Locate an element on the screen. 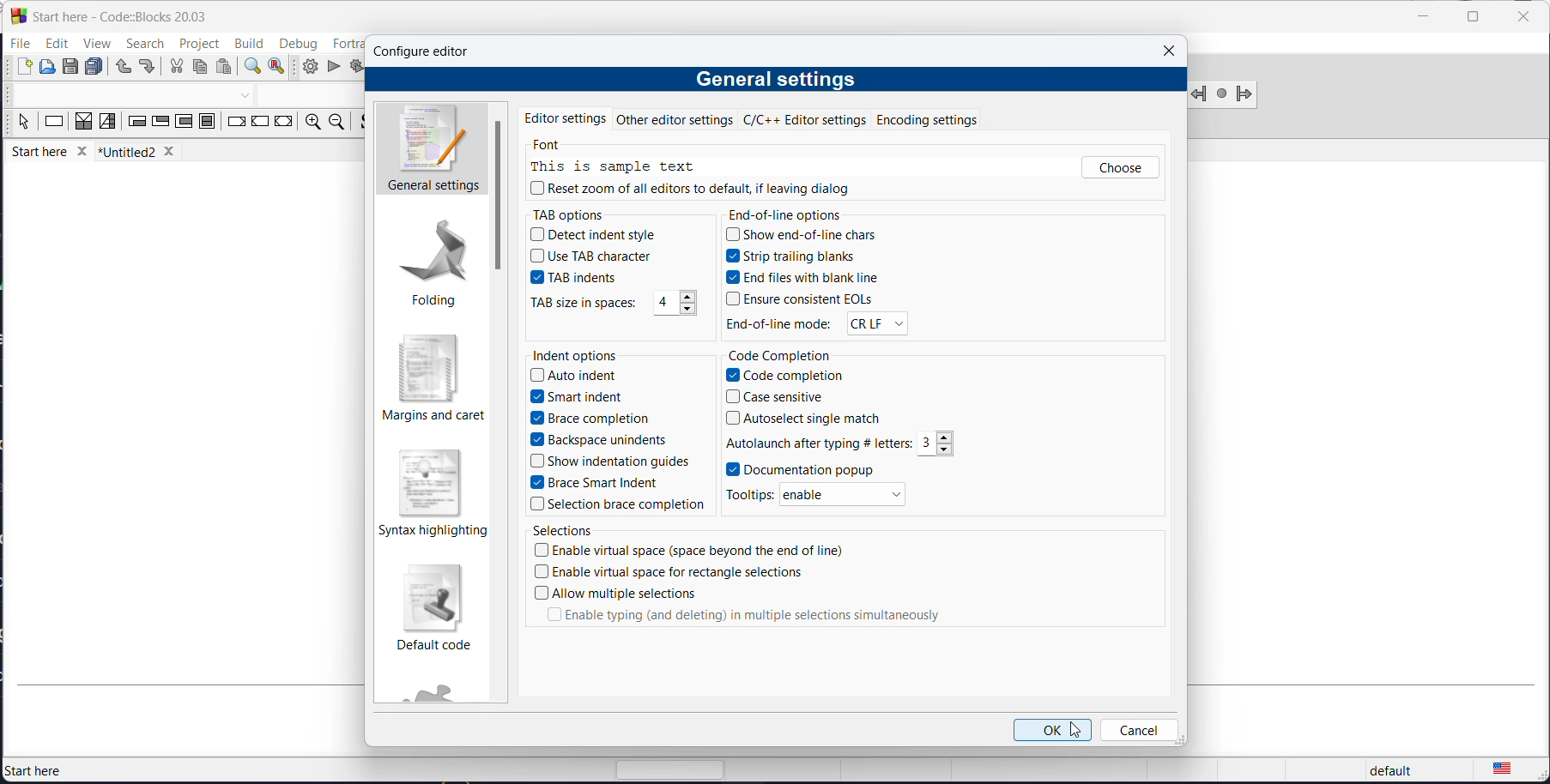 The image size is (1550, 784). ensure consistent EOLs is located at coordinates (802, 299).